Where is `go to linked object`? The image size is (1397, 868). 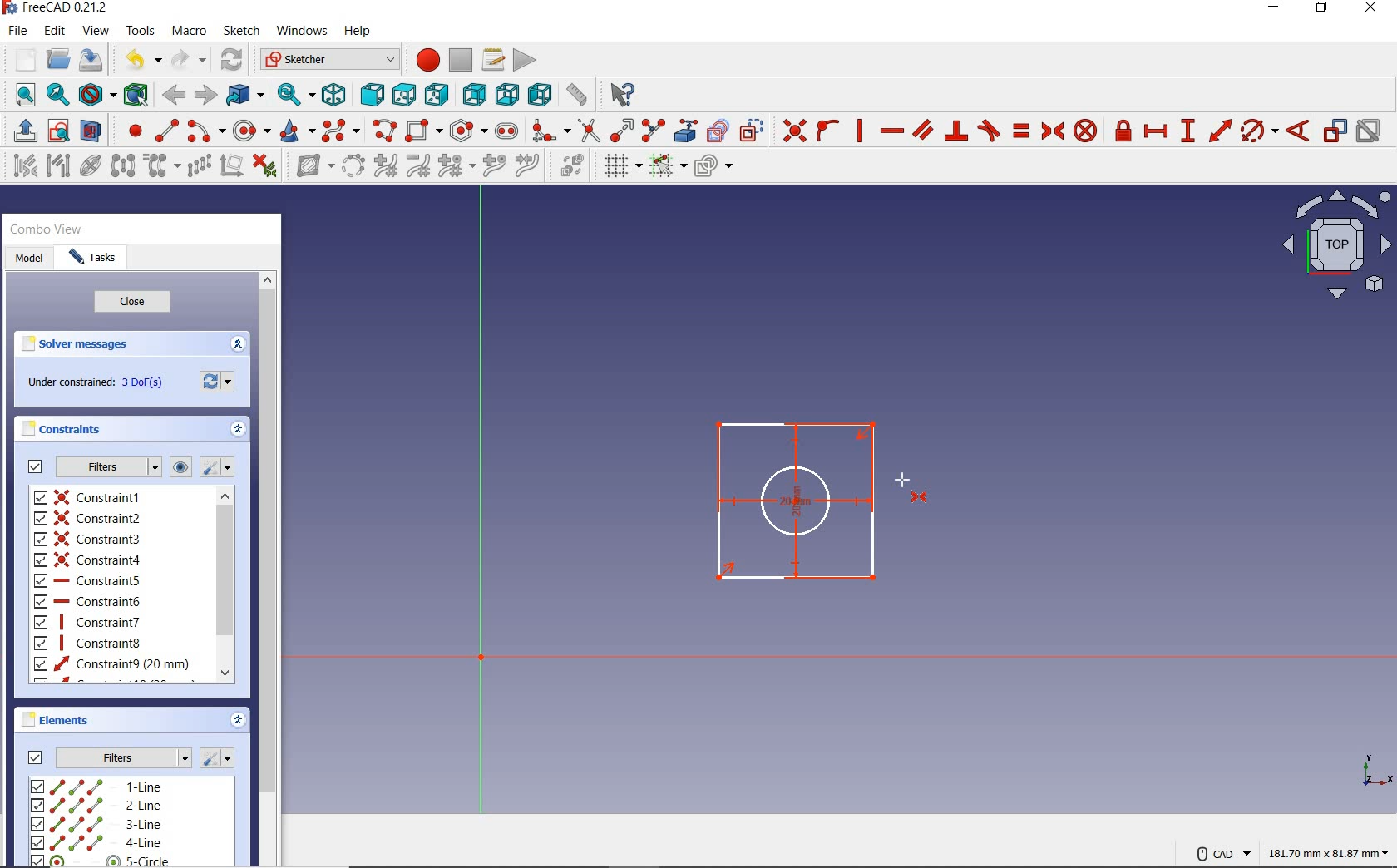
go to linked object is located at coordinates (245, 94).